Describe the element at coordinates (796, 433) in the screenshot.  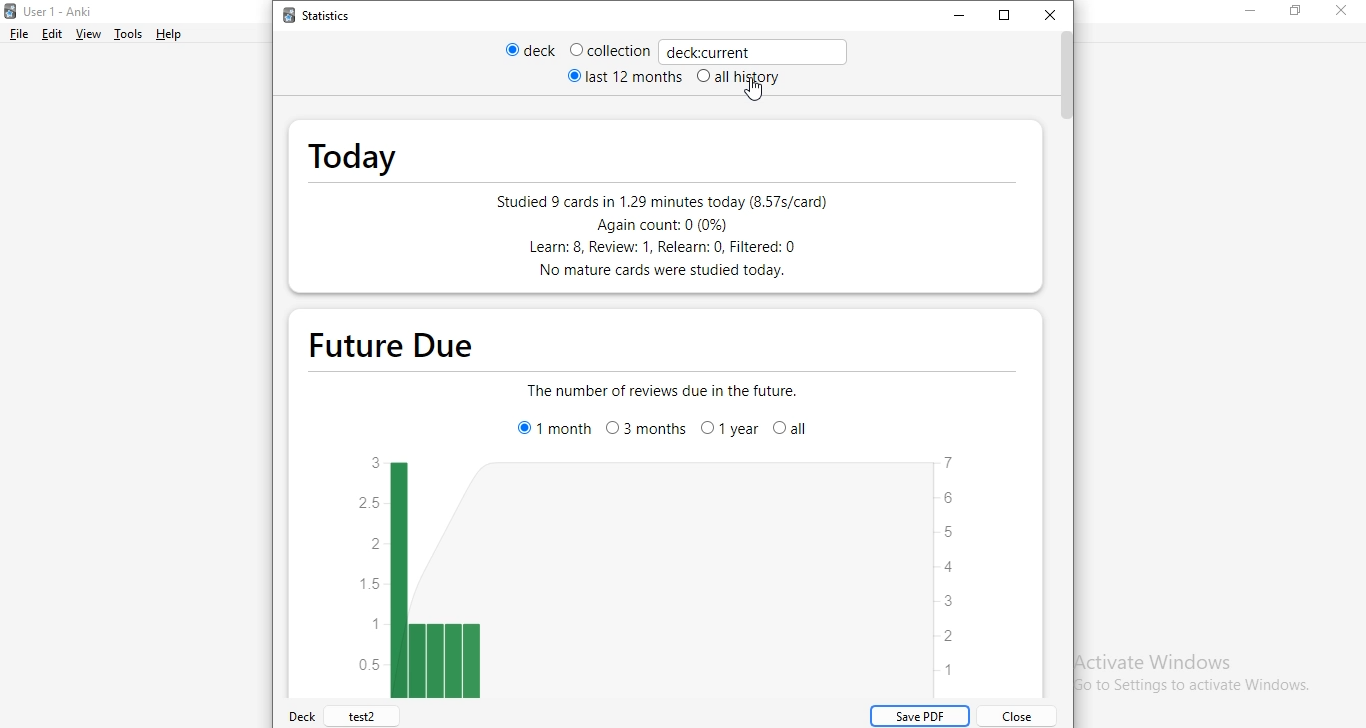
I see `all` at that location.